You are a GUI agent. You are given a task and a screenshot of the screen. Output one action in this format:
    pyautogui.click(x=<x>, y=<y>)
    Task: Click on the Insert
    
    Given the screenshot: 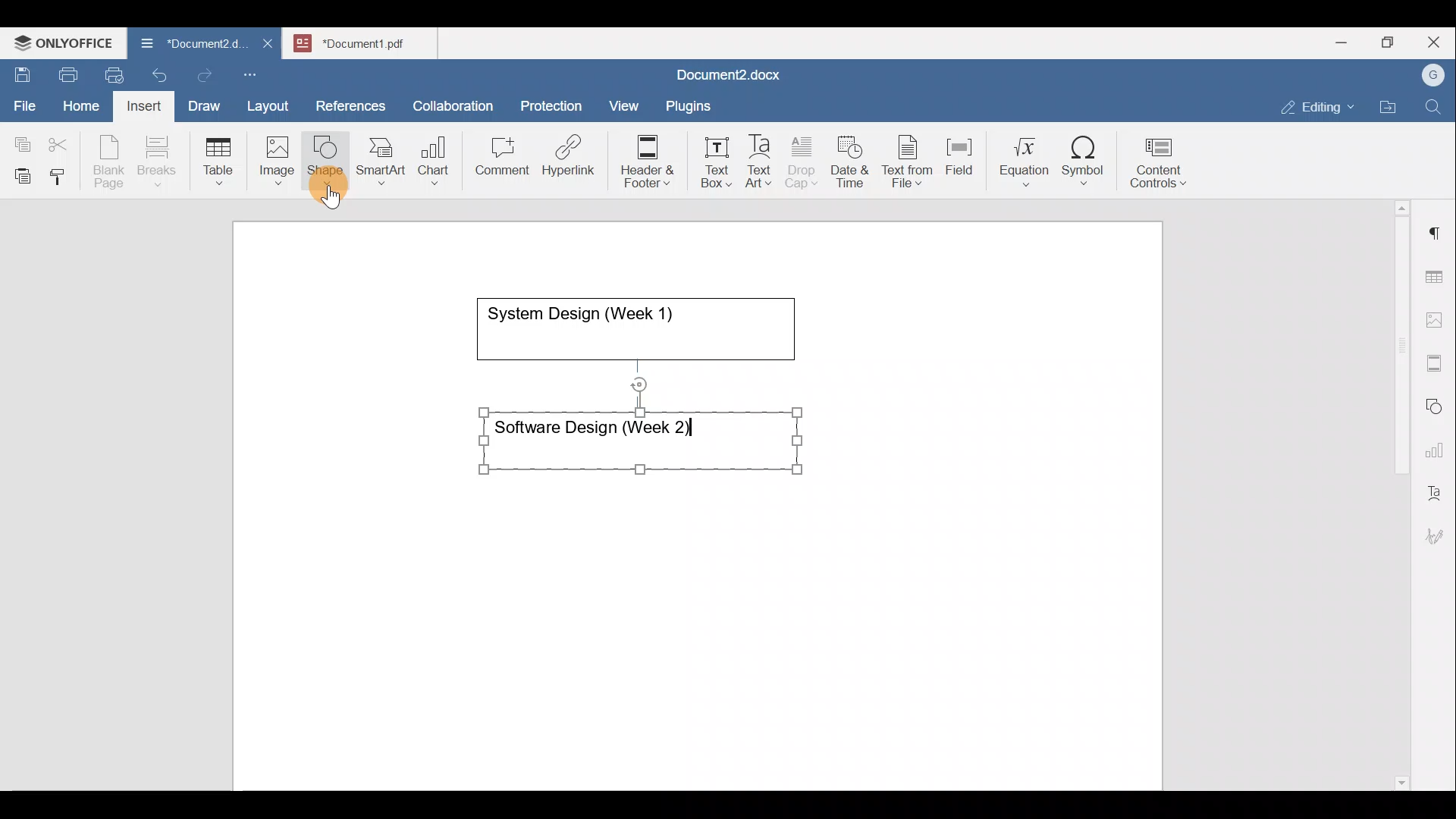 What is the action you would take?
    pyautogui.click(x=140, y=103)
    